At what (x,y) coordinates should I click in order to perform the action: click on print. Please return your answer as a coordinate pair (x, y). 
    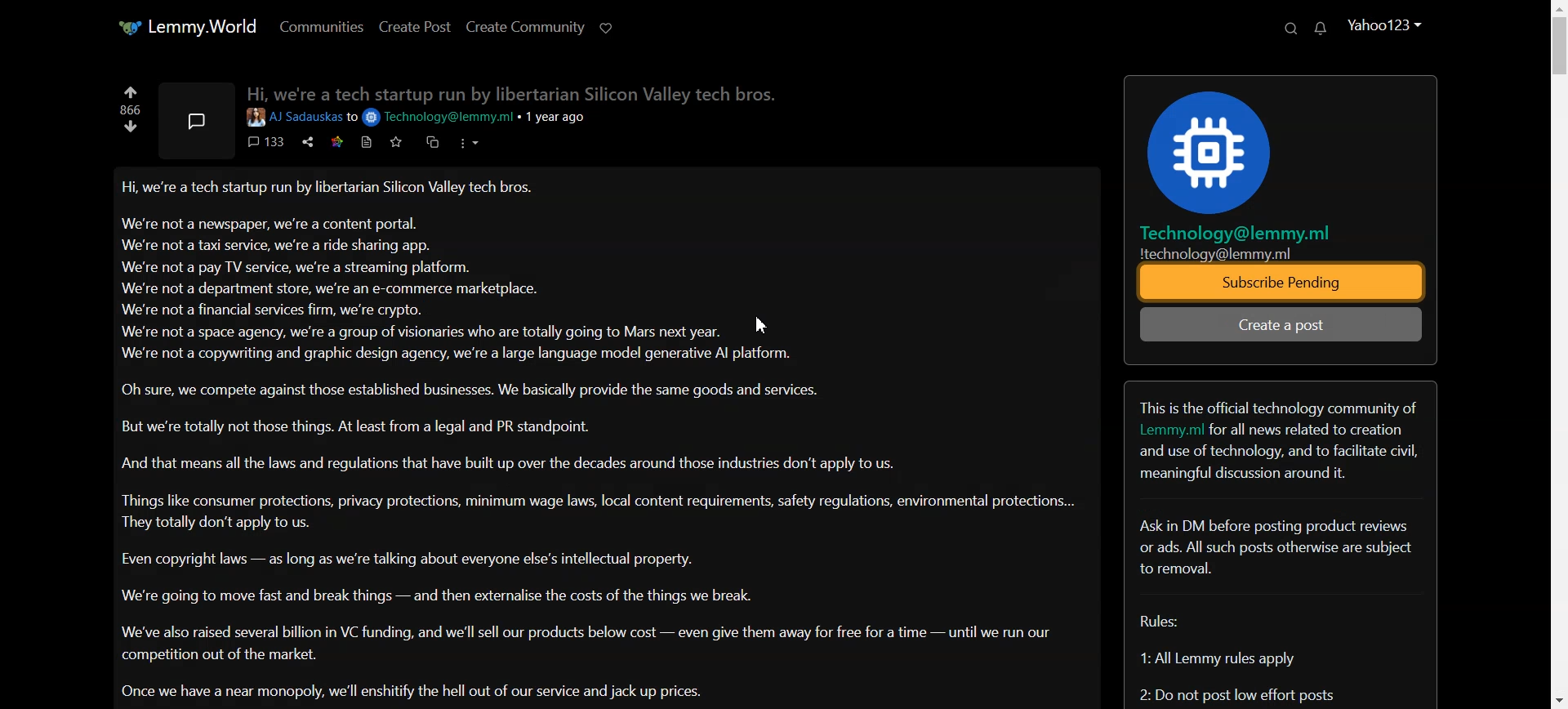
    Looking at the image, I should click on (367, 142).